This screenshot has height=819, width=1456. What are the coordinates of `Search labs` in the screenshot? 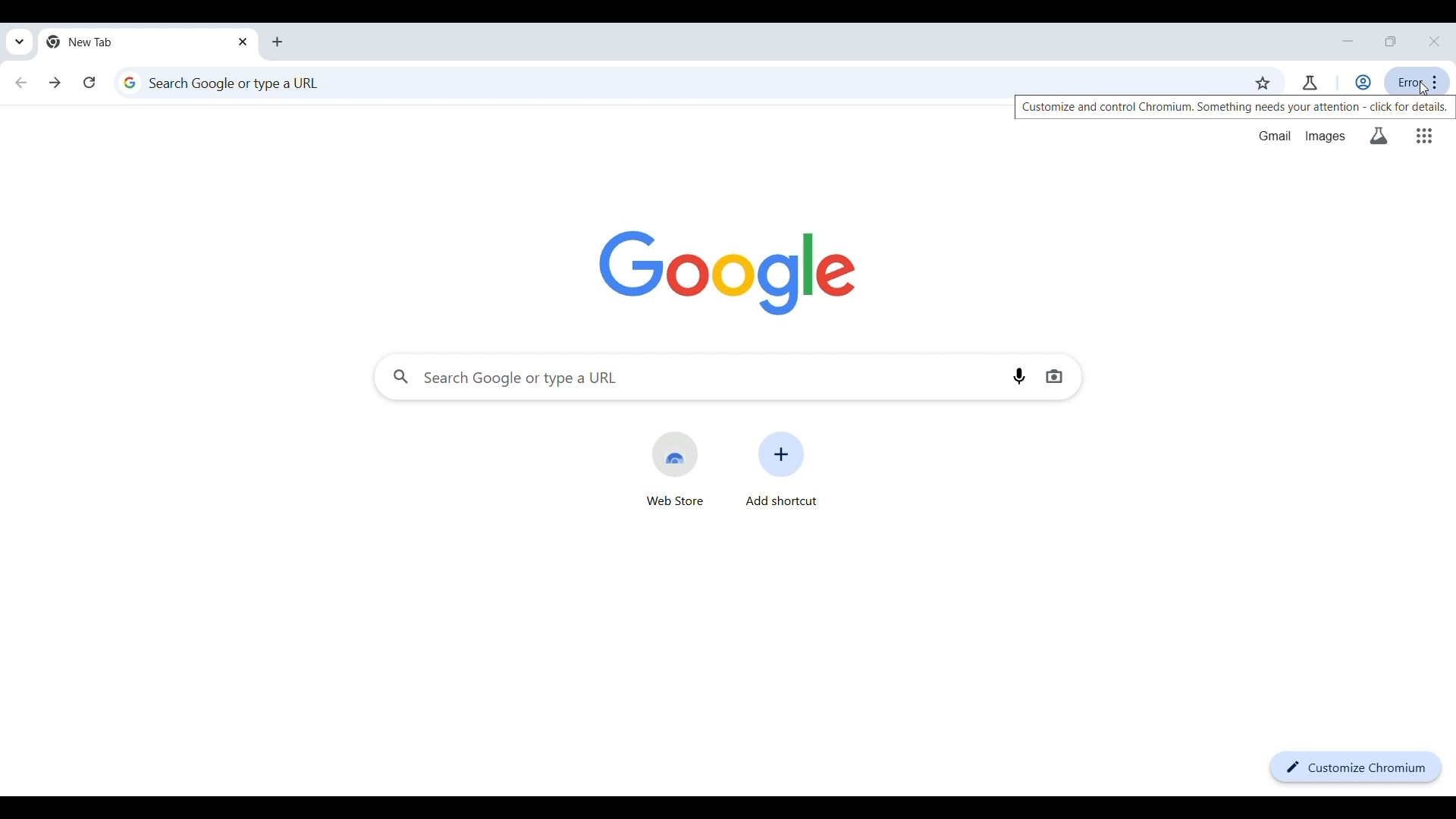 It's located at (1379, 136).